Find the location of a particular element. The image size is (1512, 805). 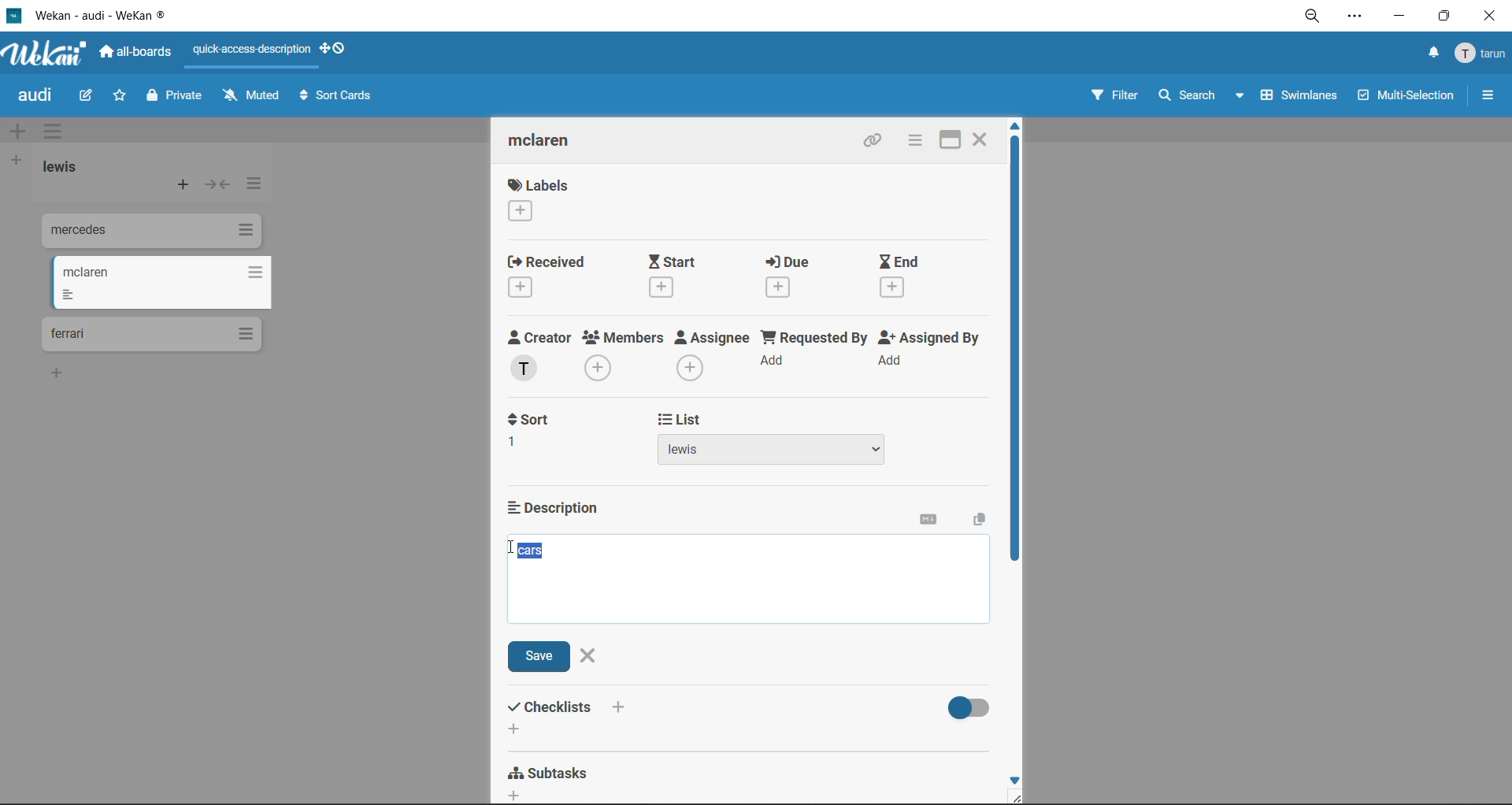

all boards is located at coordinates (136, 52).